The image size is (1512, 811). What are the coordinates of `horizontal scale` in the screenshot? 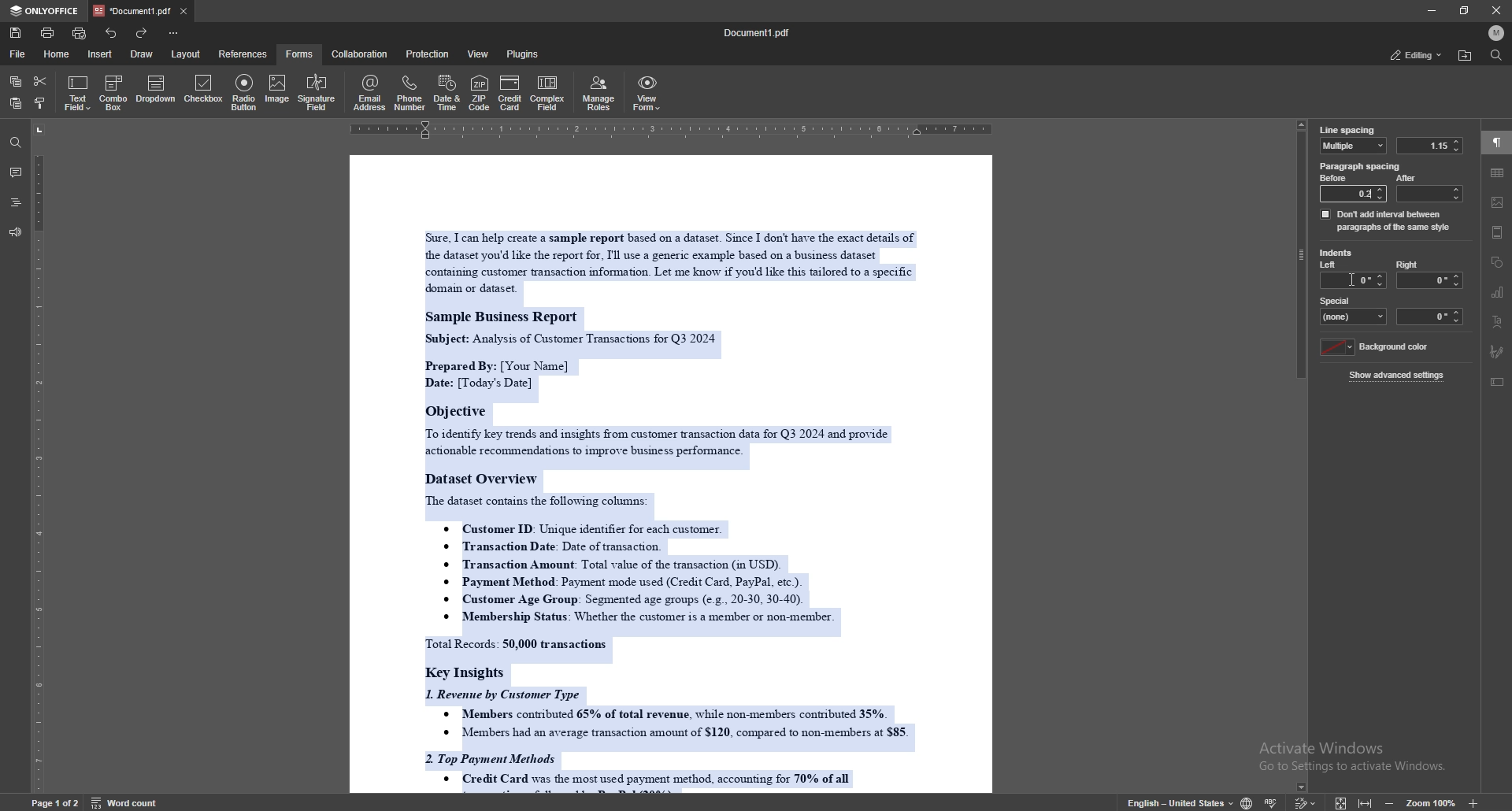 It's located at (669, 130).